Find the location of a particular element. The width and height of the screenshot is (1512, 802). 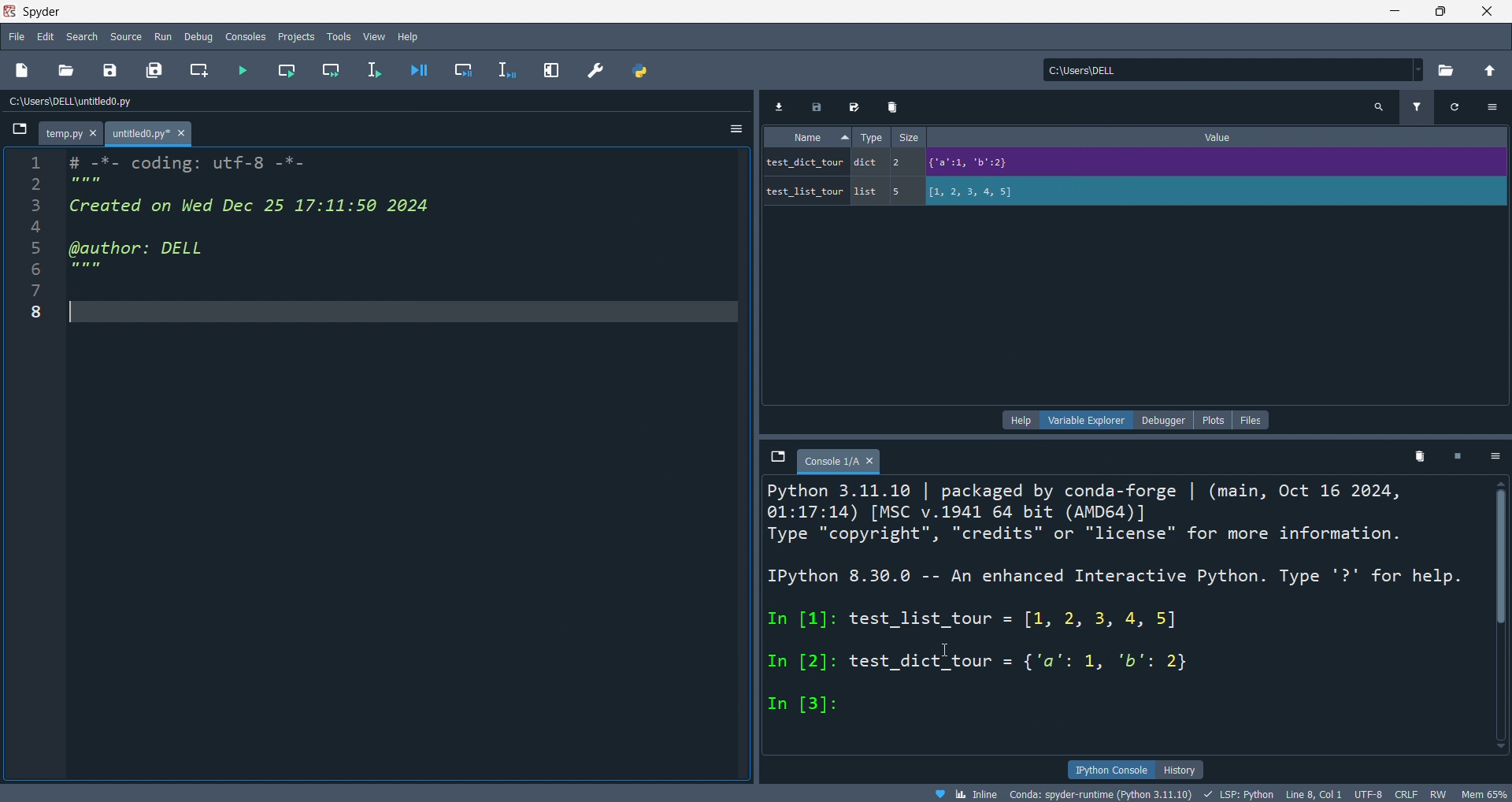

files is located at coordinates (1252, 419).